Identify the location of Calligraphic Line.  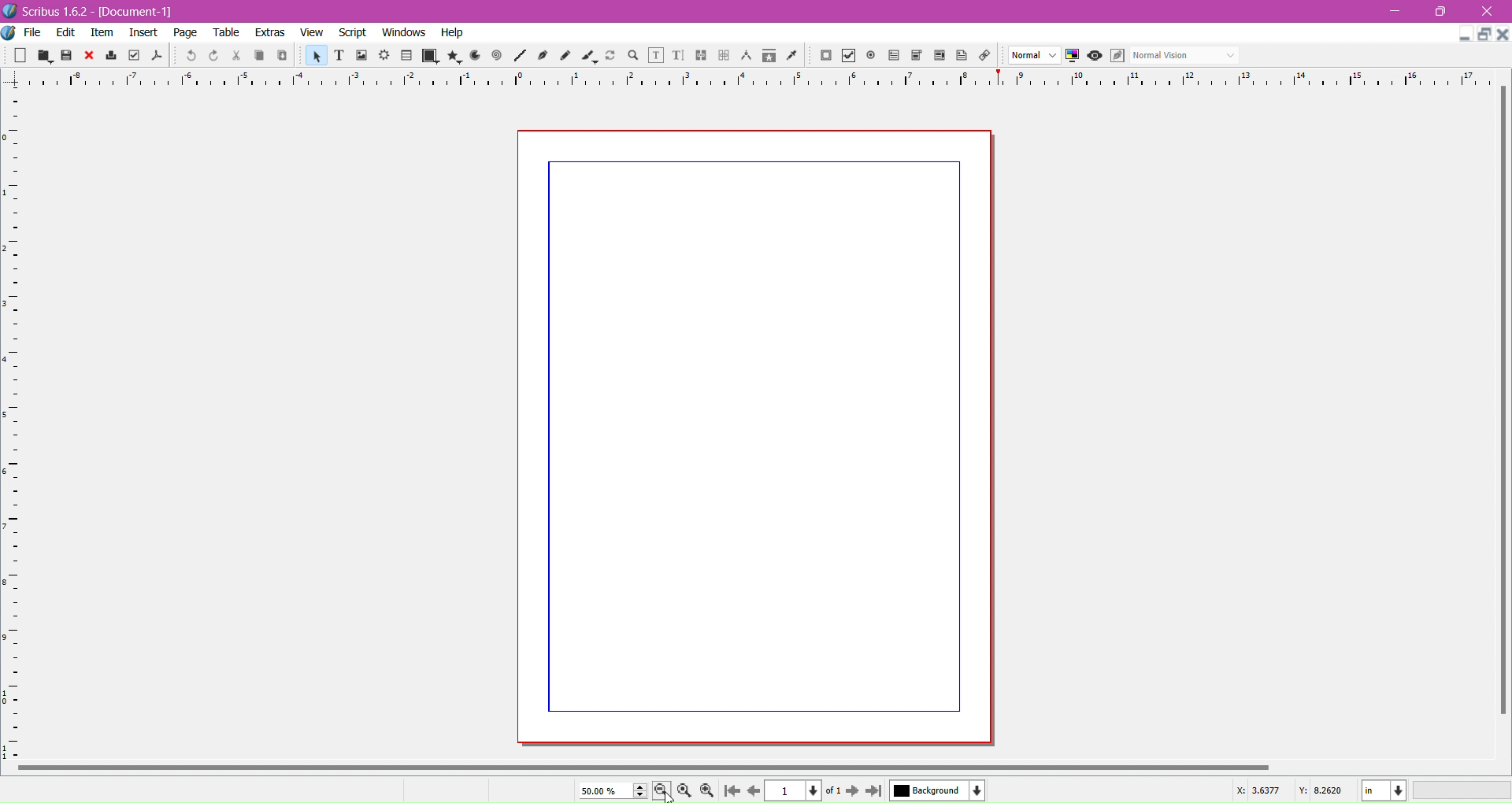
(591, 57).